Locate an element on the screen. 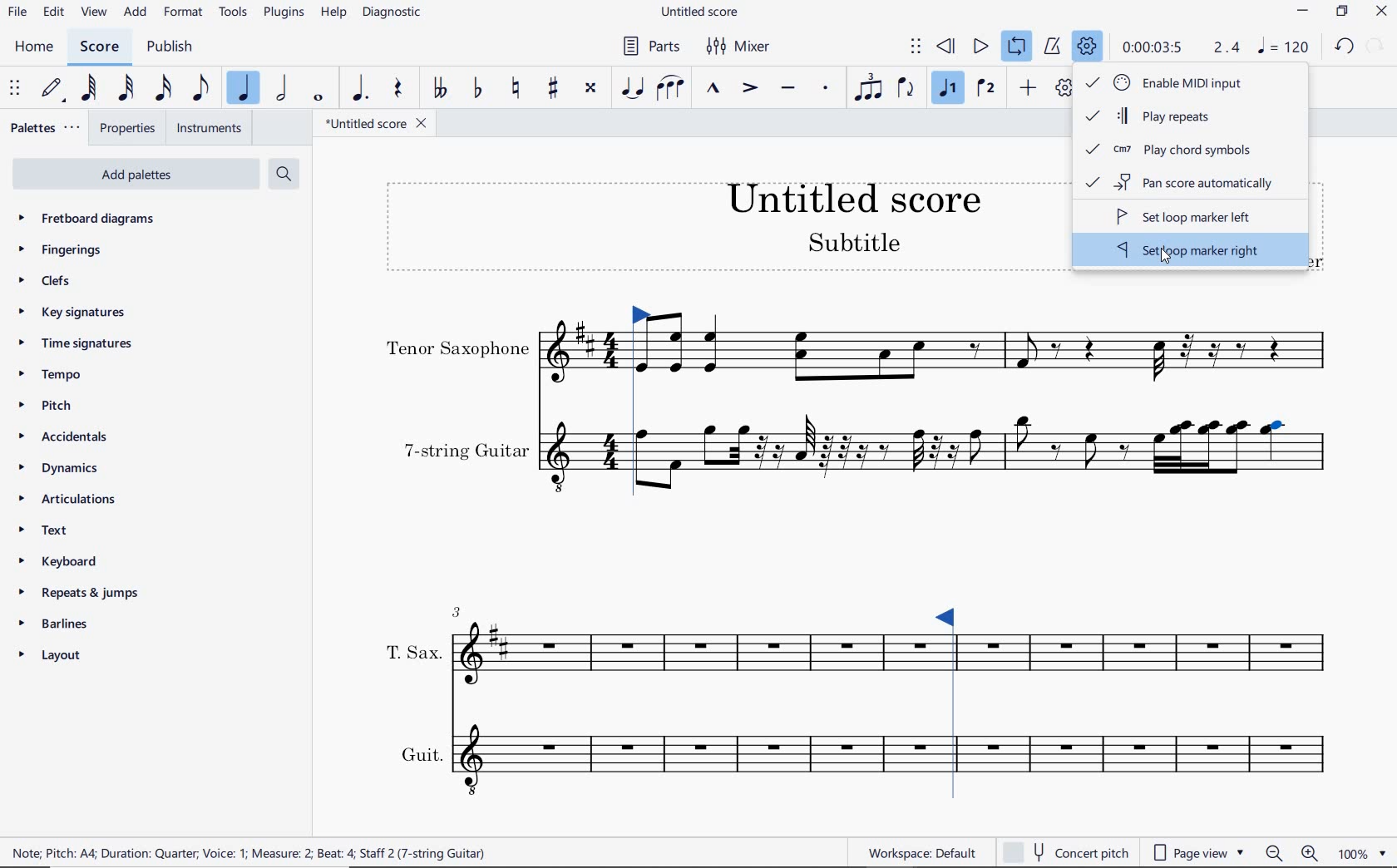  BARLINES is located at coordinates (55, 627).